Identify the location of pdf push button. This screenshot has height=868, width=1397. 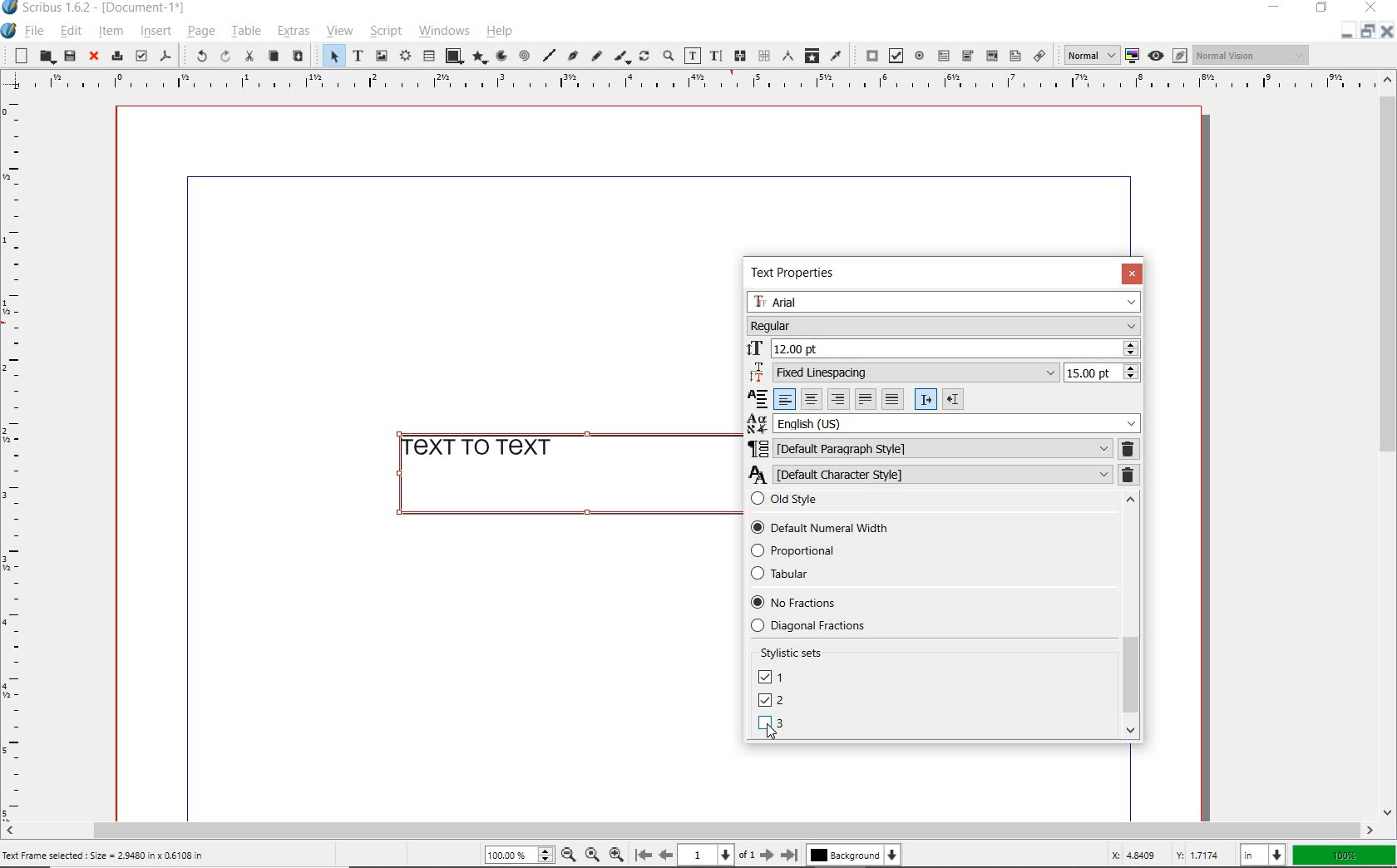
(868, 56).